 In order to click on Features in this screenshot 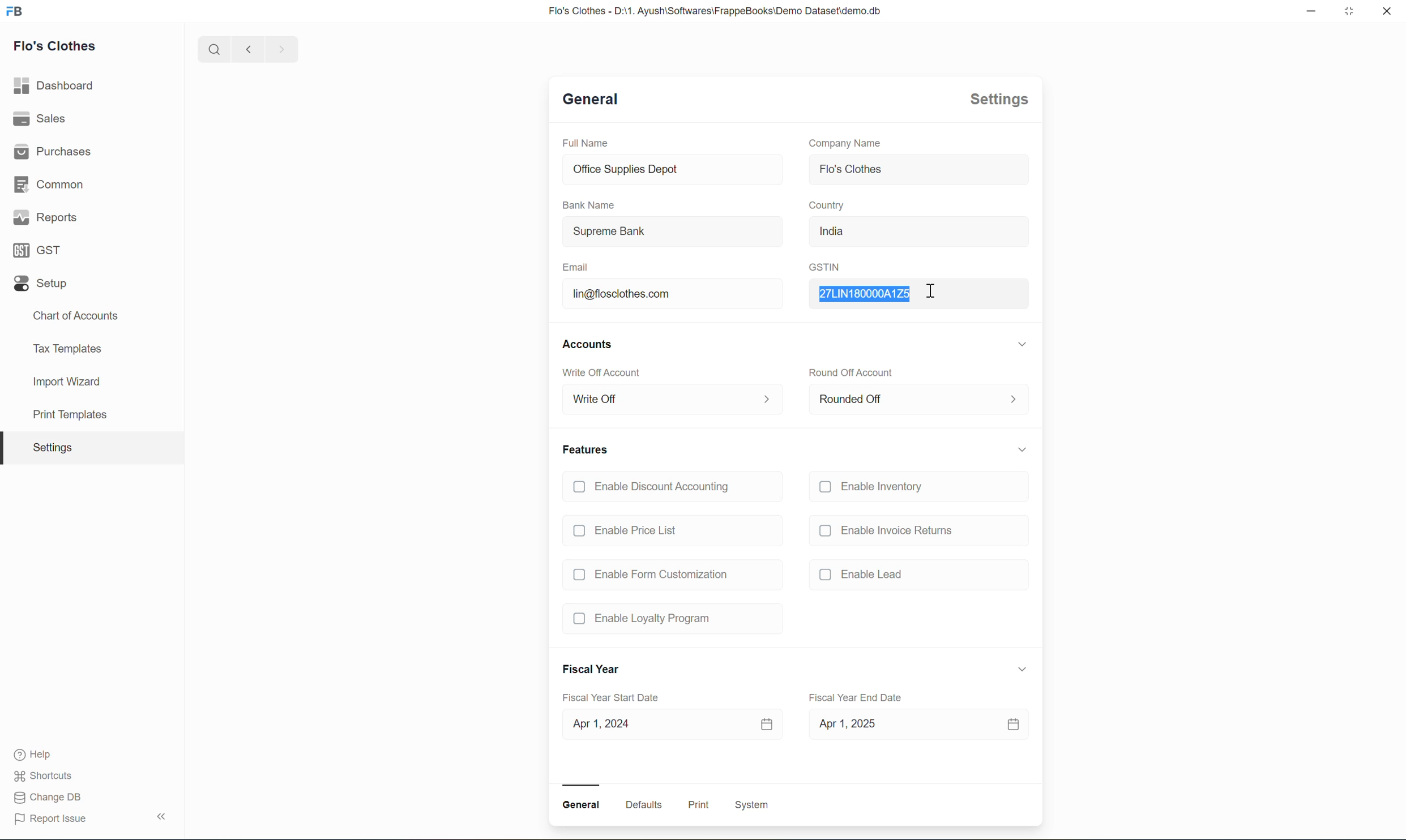, I will do `click(587, 449)`.